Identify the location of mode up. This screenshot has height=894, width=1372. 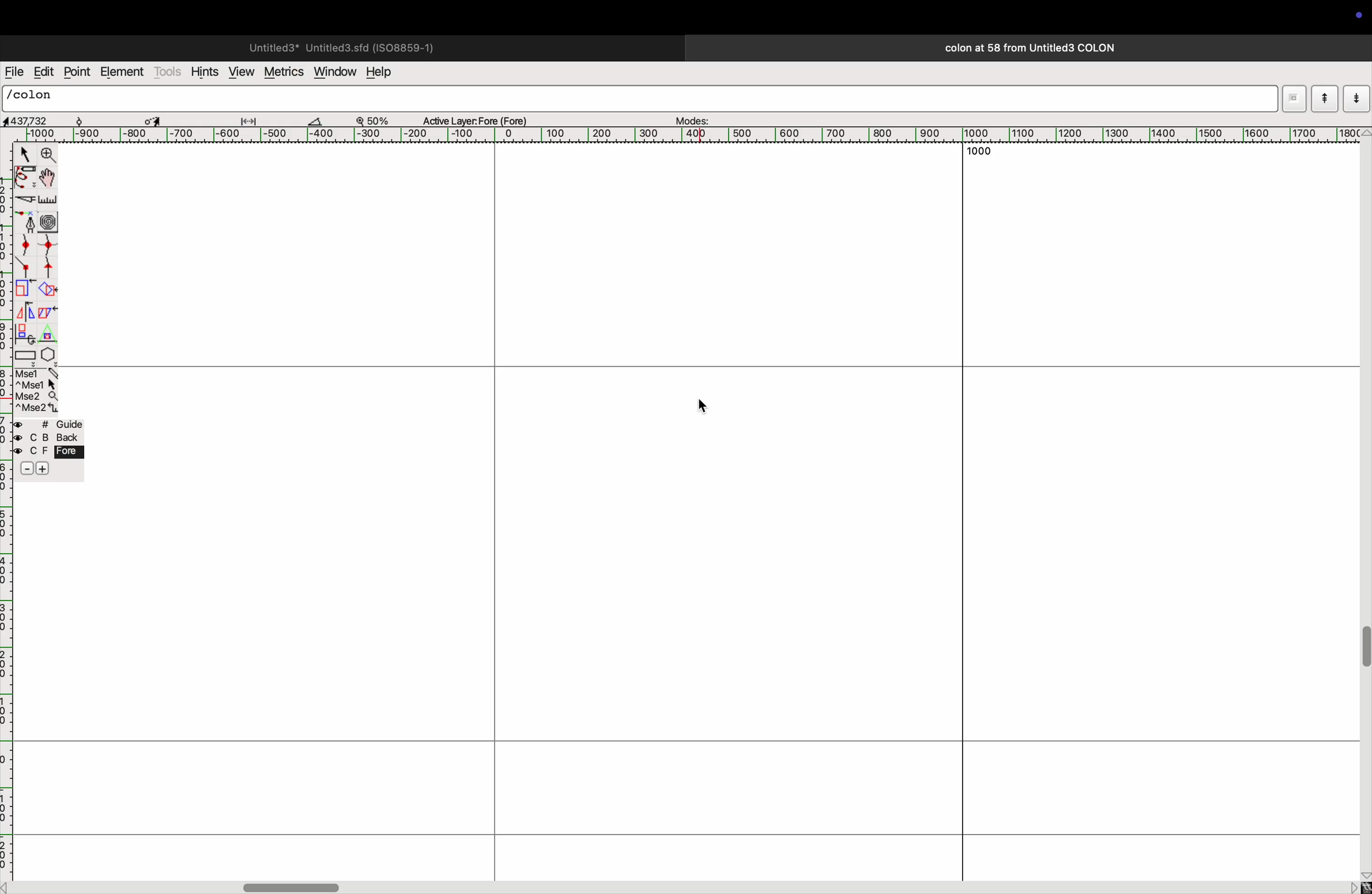
(1324, 99).